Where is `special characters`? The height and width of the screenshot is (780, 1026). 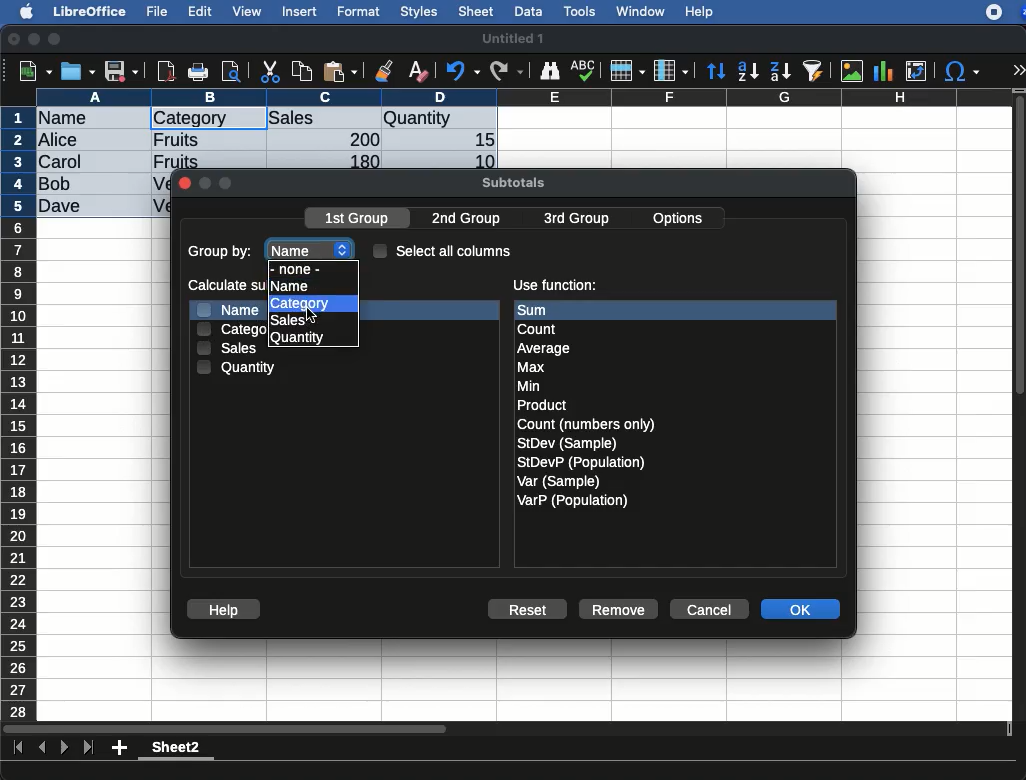 special characters is located at coordinates (960, 71).